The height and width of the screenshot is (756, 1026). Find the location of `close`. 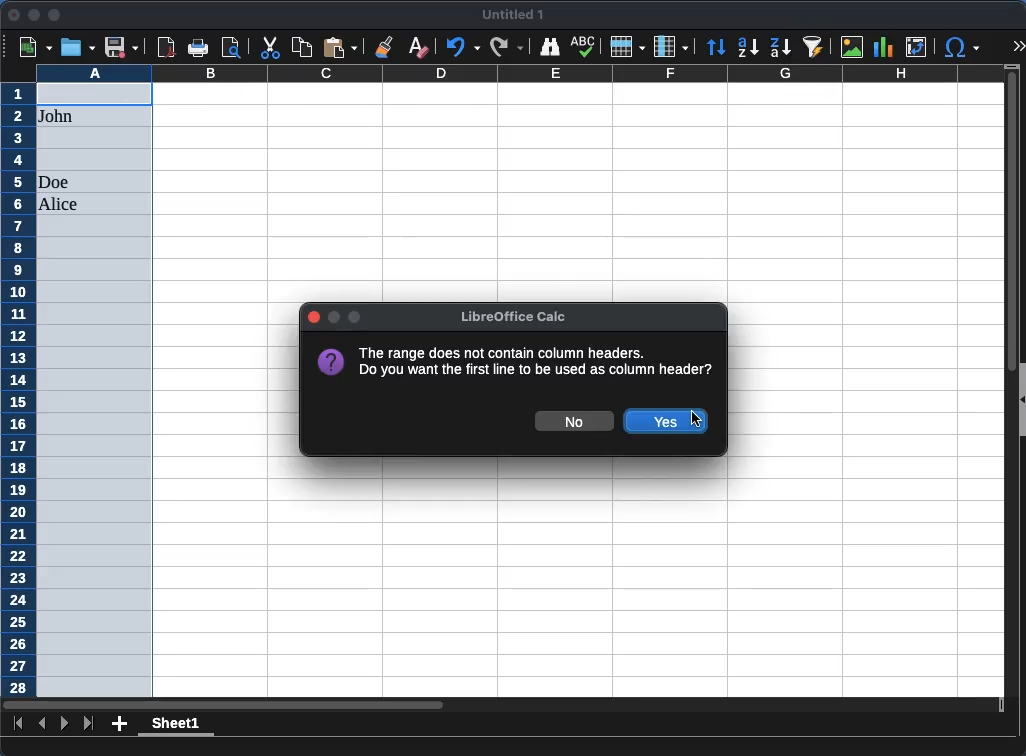

close is located at coordinates (314, 317).